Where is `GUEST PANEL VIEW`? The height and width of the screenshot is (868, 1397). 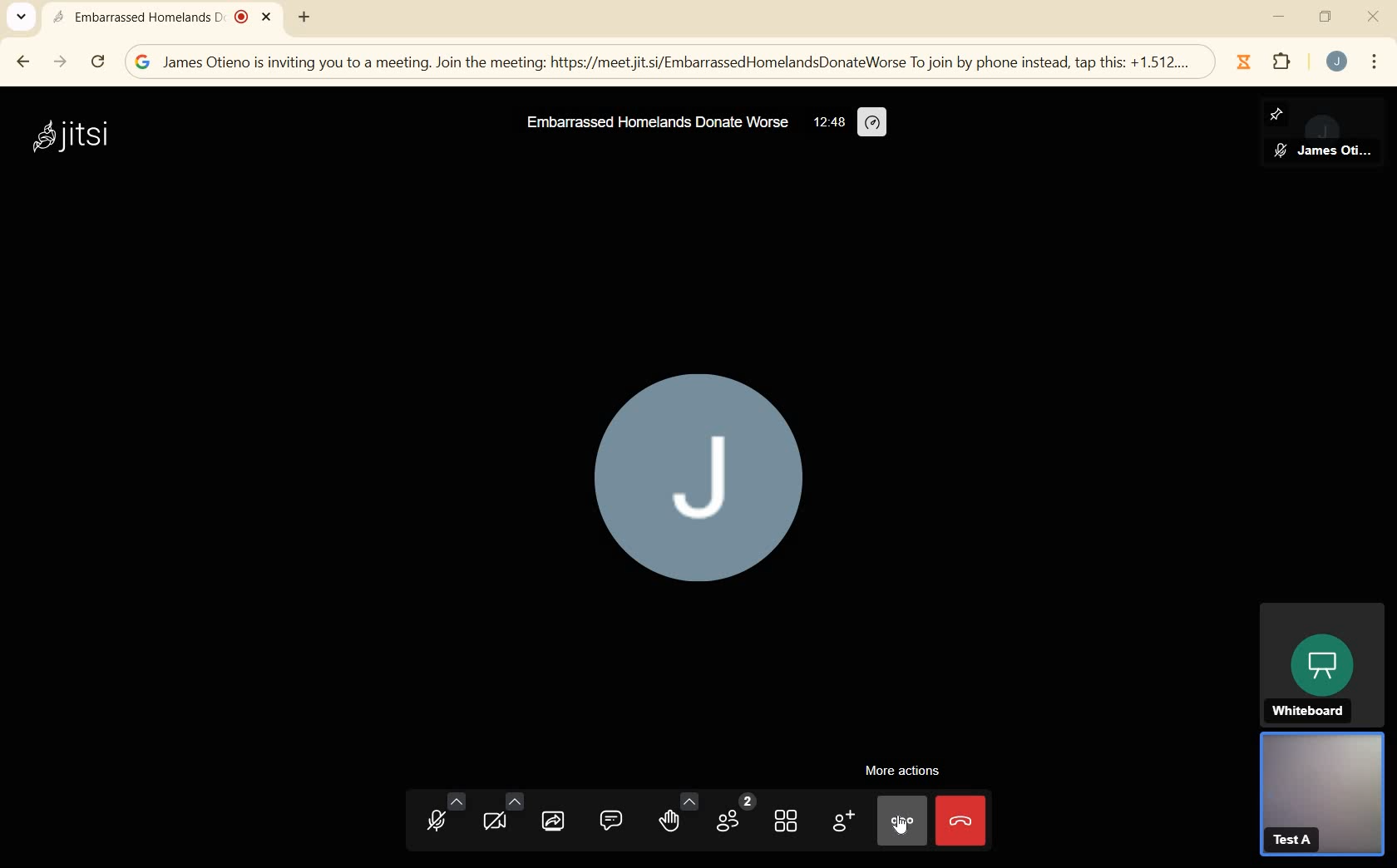
GUEST PANEL VIEW is located at coordinates (1321, 798).